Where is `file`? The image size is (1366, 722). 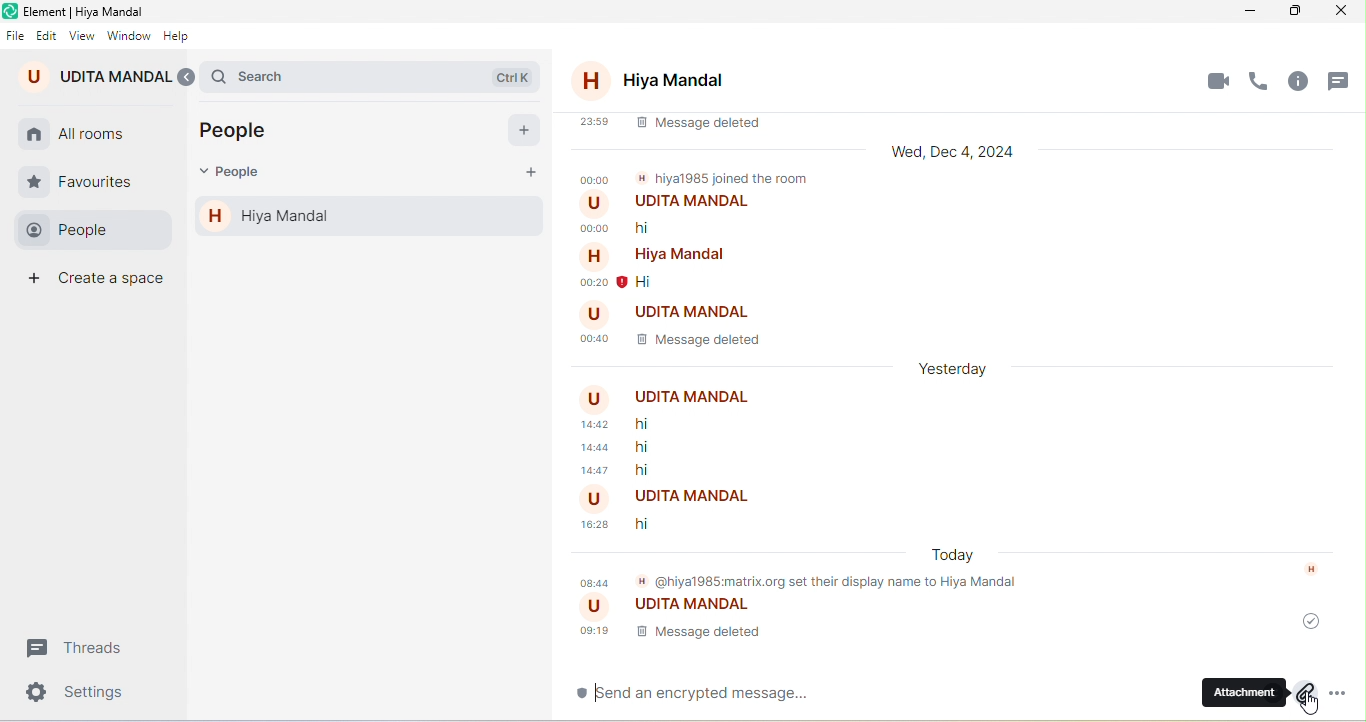
file is located at coordinates (15, 31).